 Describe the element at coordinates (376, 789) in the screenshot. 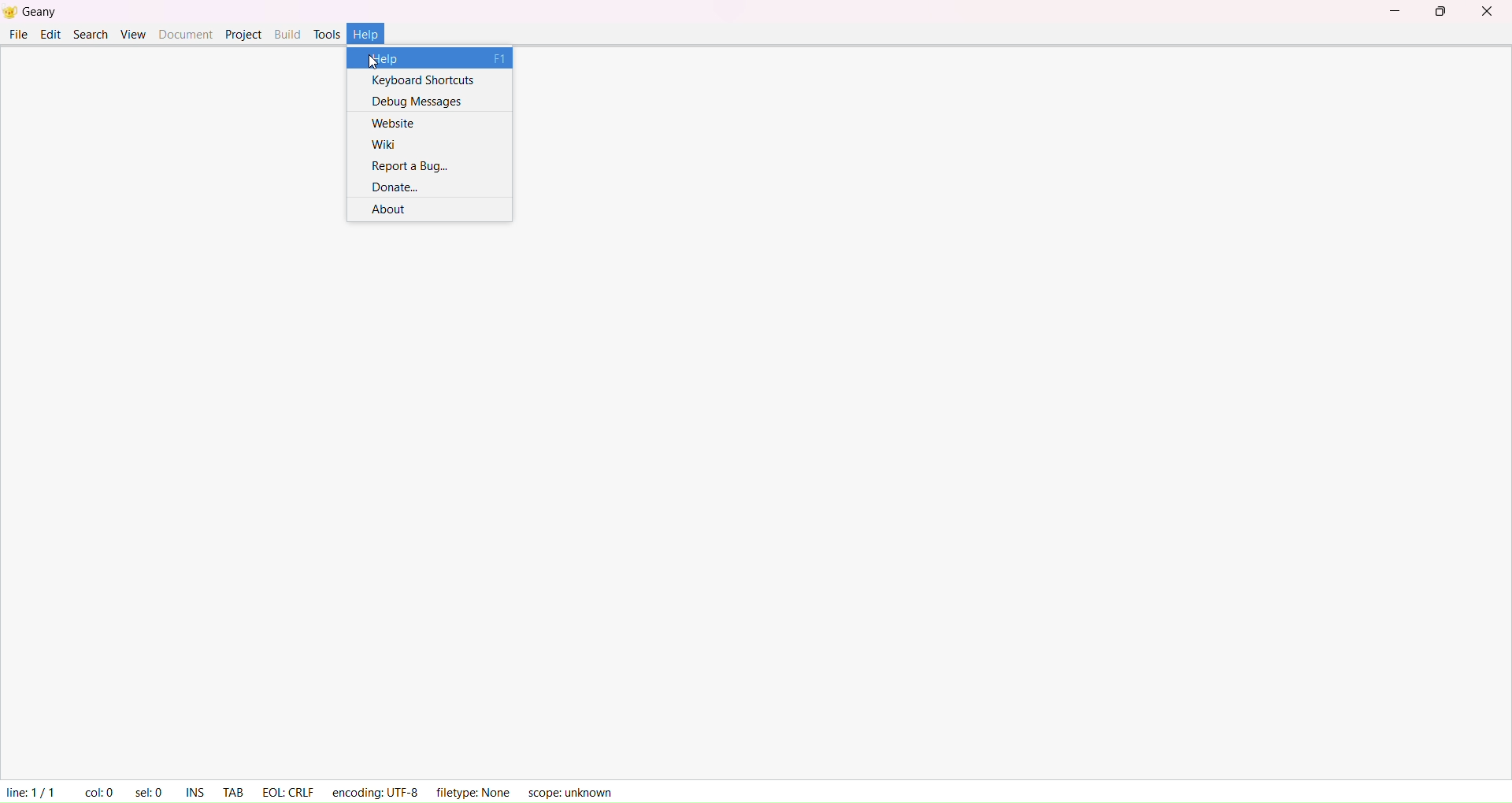

I see `encoding` at that location.